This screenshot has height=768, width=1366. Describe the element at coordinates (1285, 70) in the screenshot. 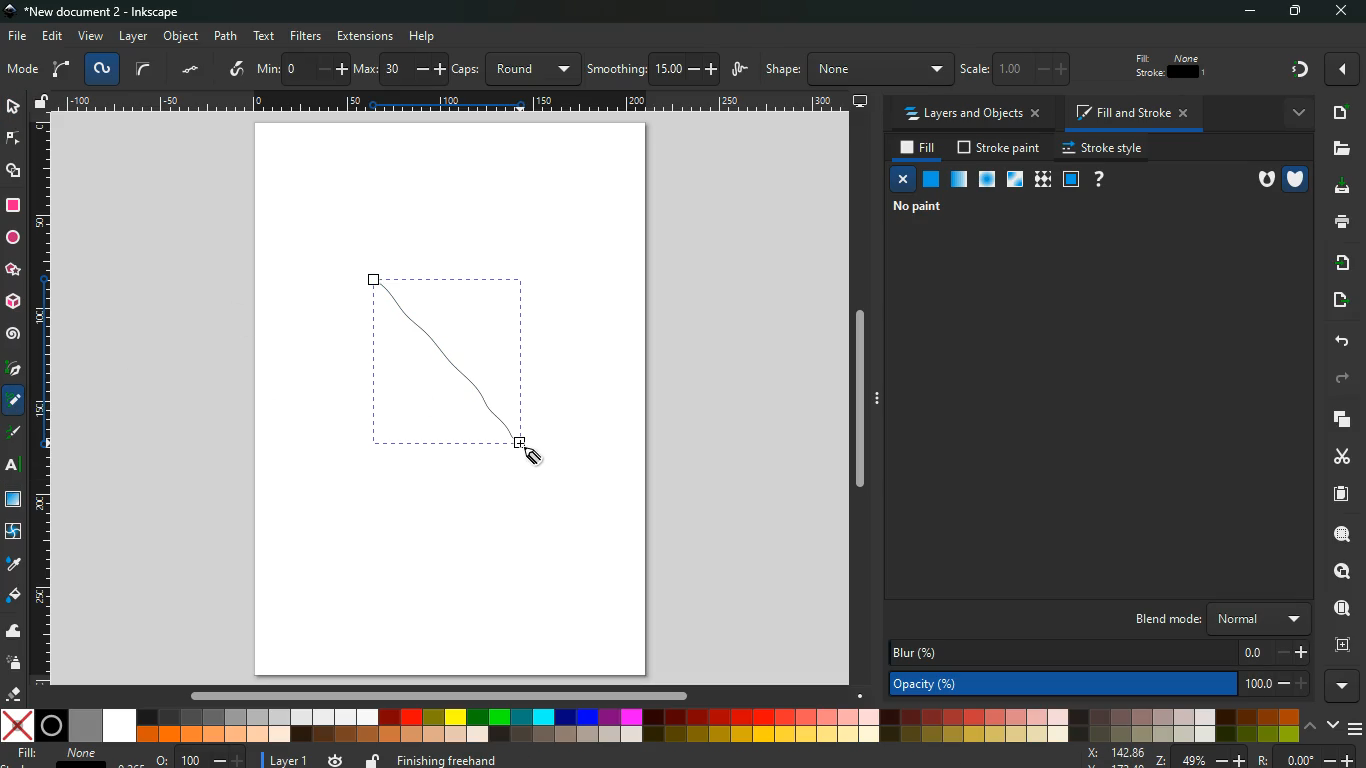

I see `` at that location.